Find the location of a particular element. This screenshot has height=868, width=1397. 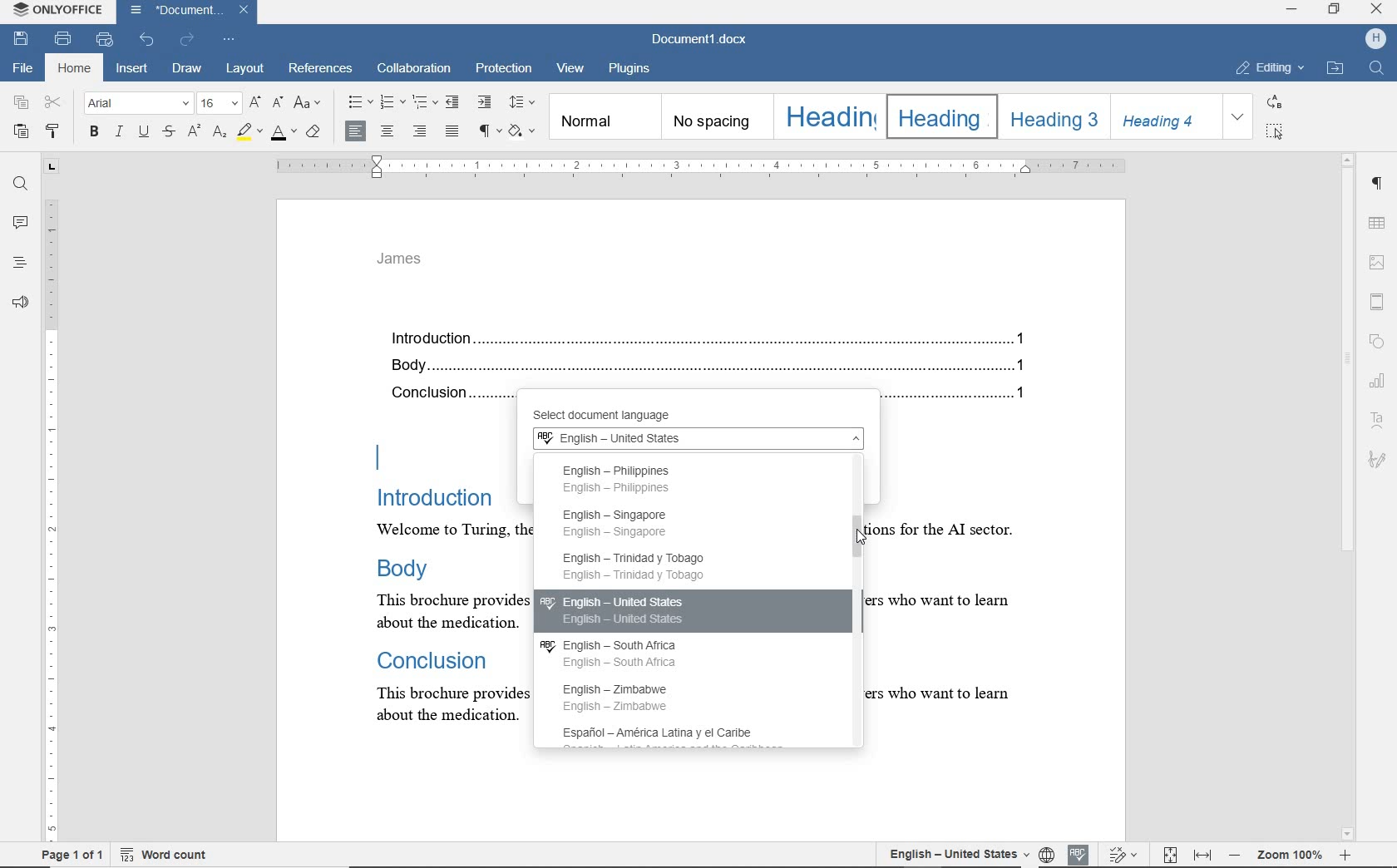

superscript is located at coordinates (193, 131).